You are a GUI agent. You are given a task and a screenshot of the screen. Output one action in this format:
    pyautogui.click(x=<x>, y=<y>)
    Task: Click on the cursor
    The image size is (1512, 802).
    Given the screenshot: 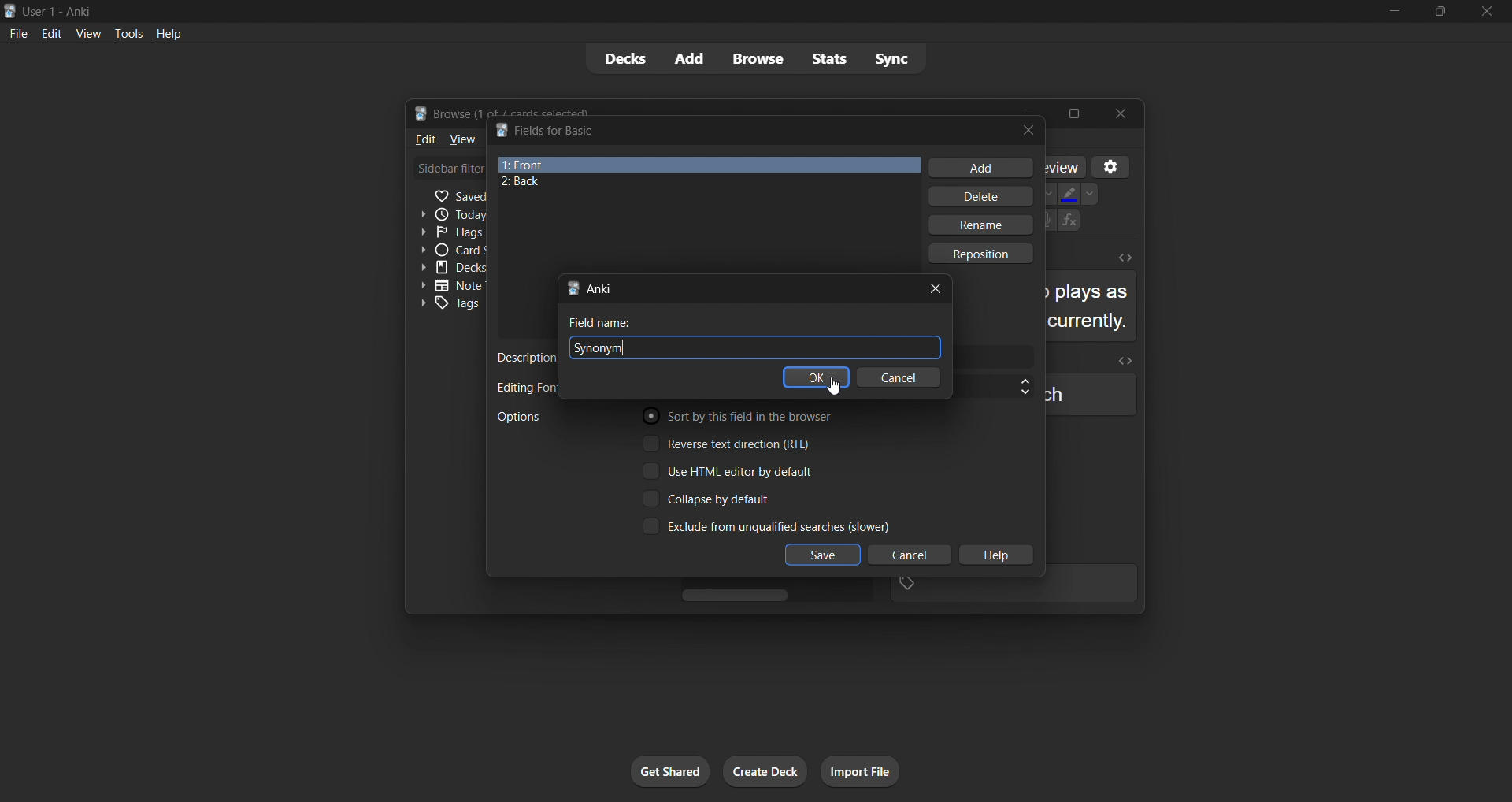 What is the action you would take?
    pyautogui.click(x=832, y=388)
    